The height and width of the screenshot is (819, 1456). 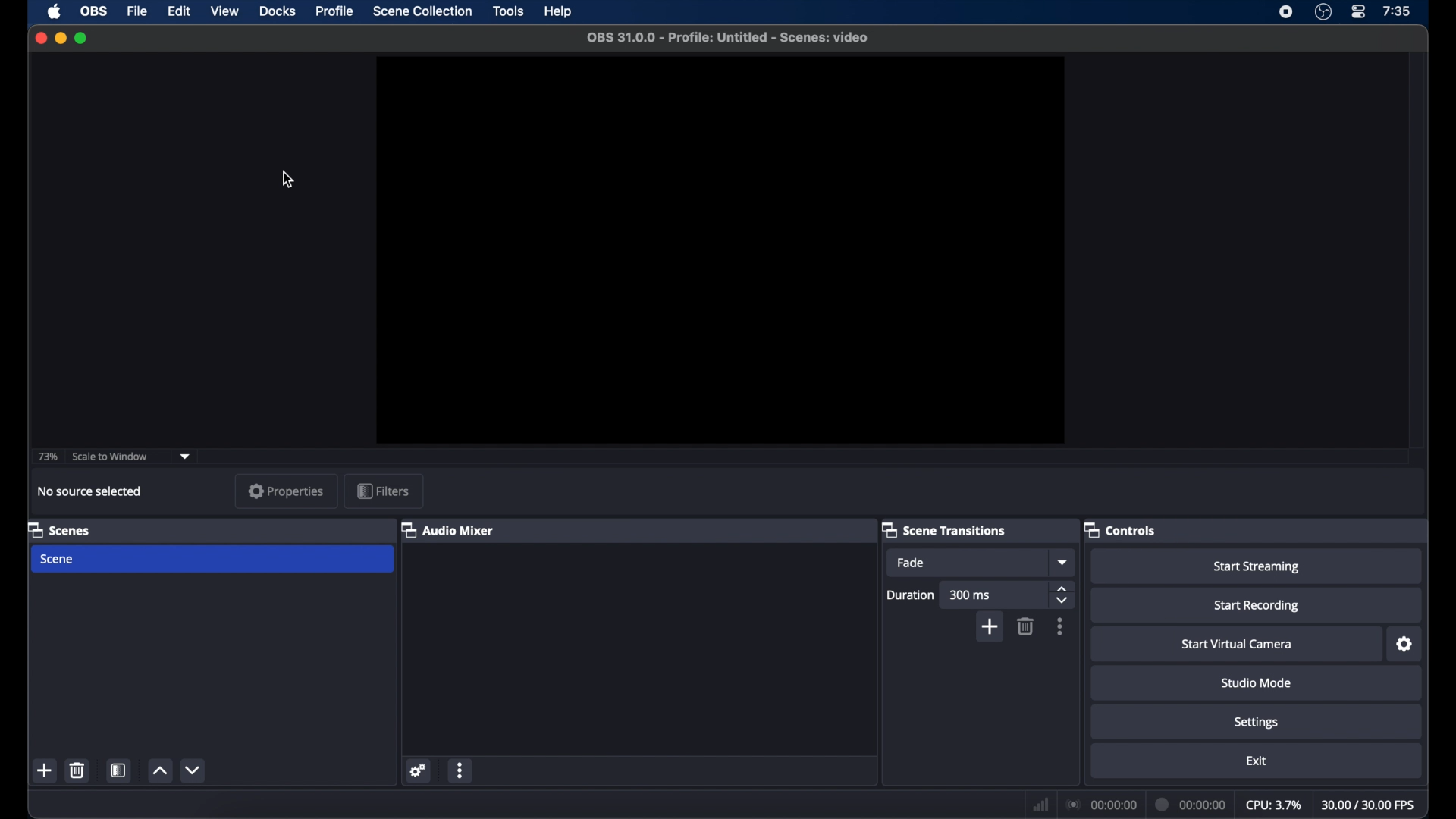 What do you see at coordinates (1357, 12) in the screenshot?
I see `control center` at bounding box center [1357, 12].